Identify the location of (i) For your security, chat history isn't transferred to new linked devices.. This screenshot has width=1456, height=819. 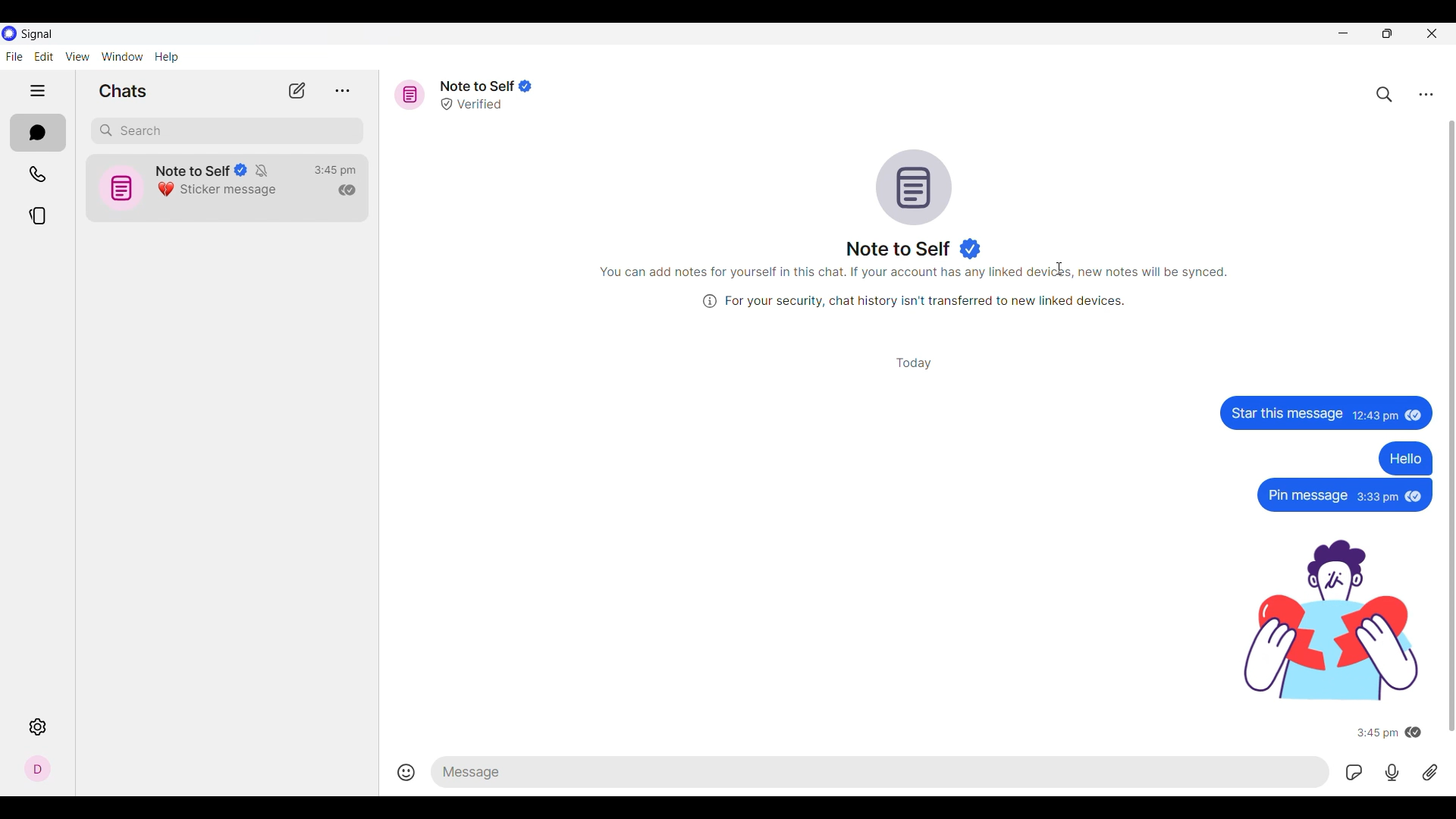
(908, 301).